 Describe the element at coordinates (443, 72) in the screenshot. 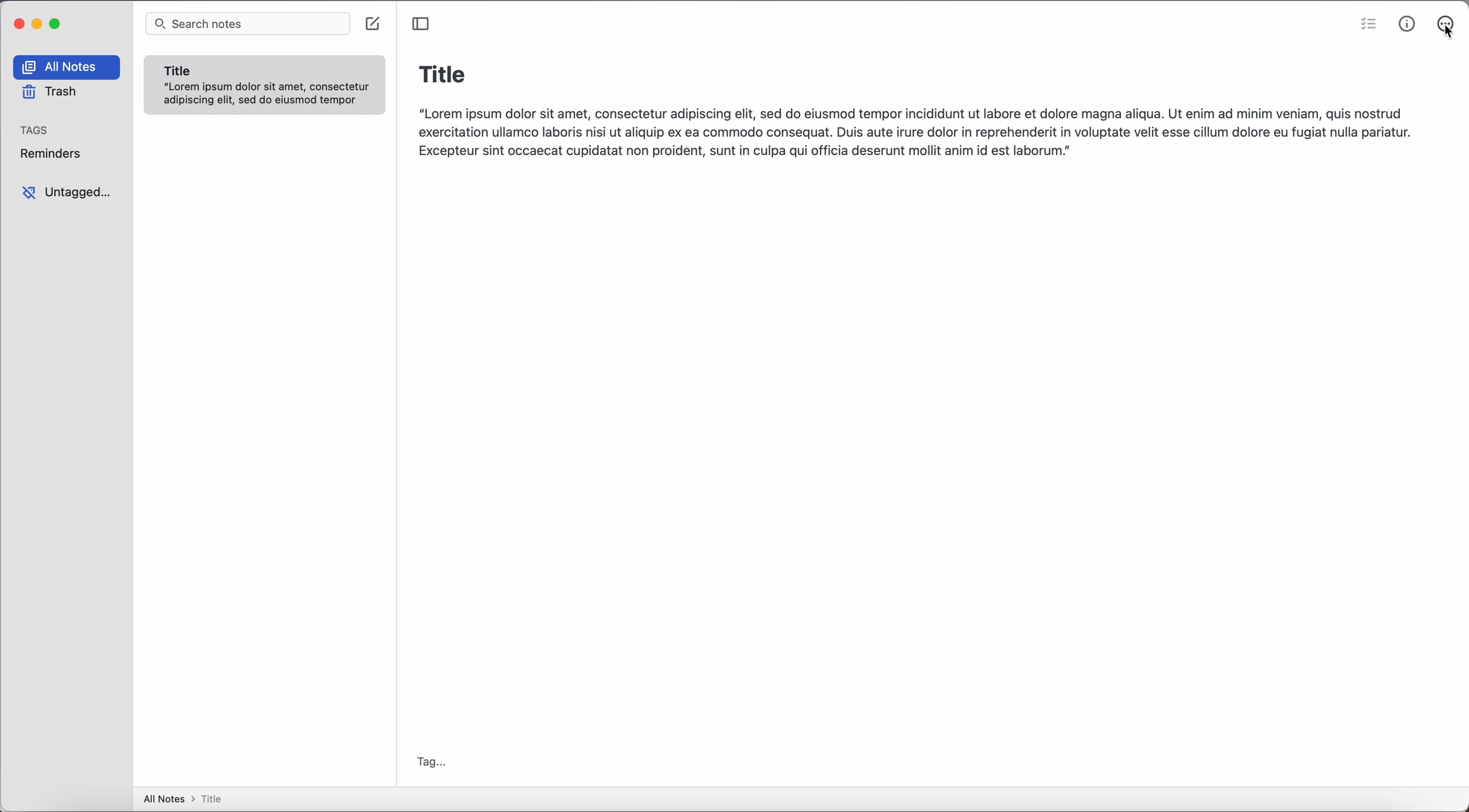

I see `title` at that location.